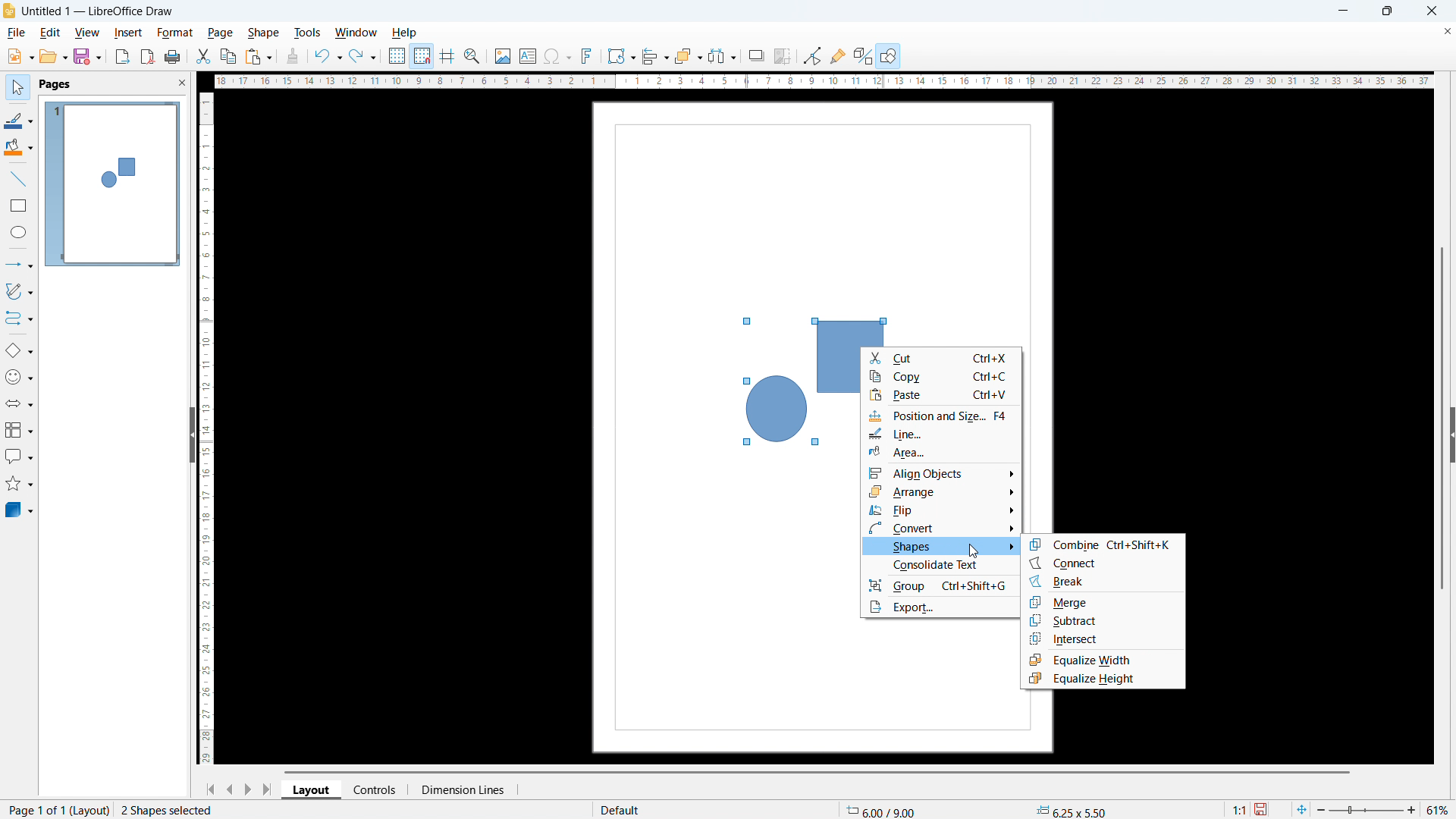  What do you see at coordinates (20, 350) in the screenshot?
I see `basic shapes` at bounding box center [20, 350].